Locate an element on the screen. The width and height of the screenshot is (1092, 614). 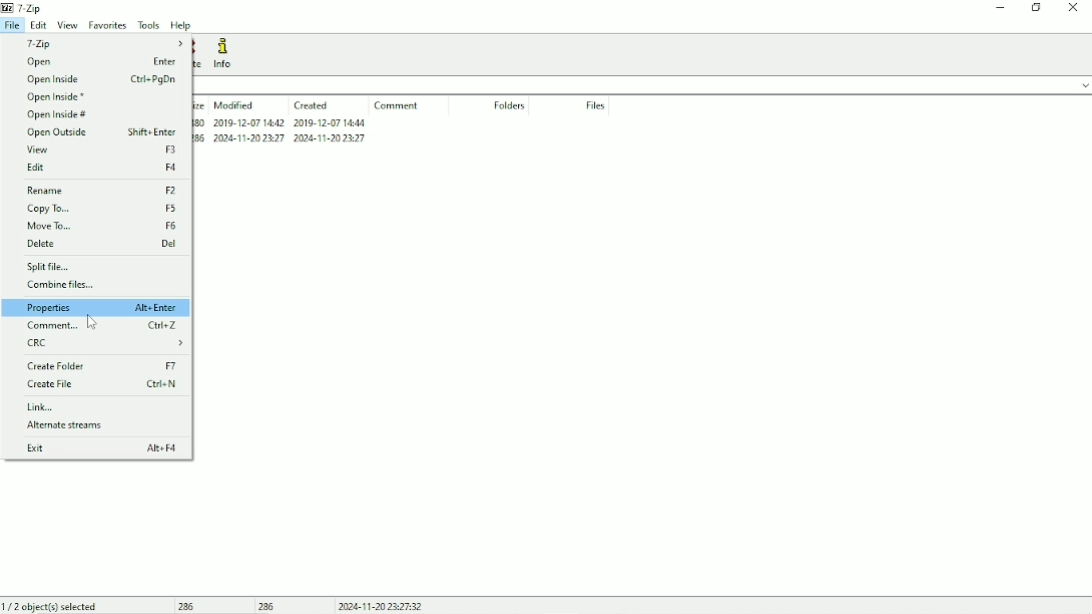
Date and Time is located at coordinates (379, 606).